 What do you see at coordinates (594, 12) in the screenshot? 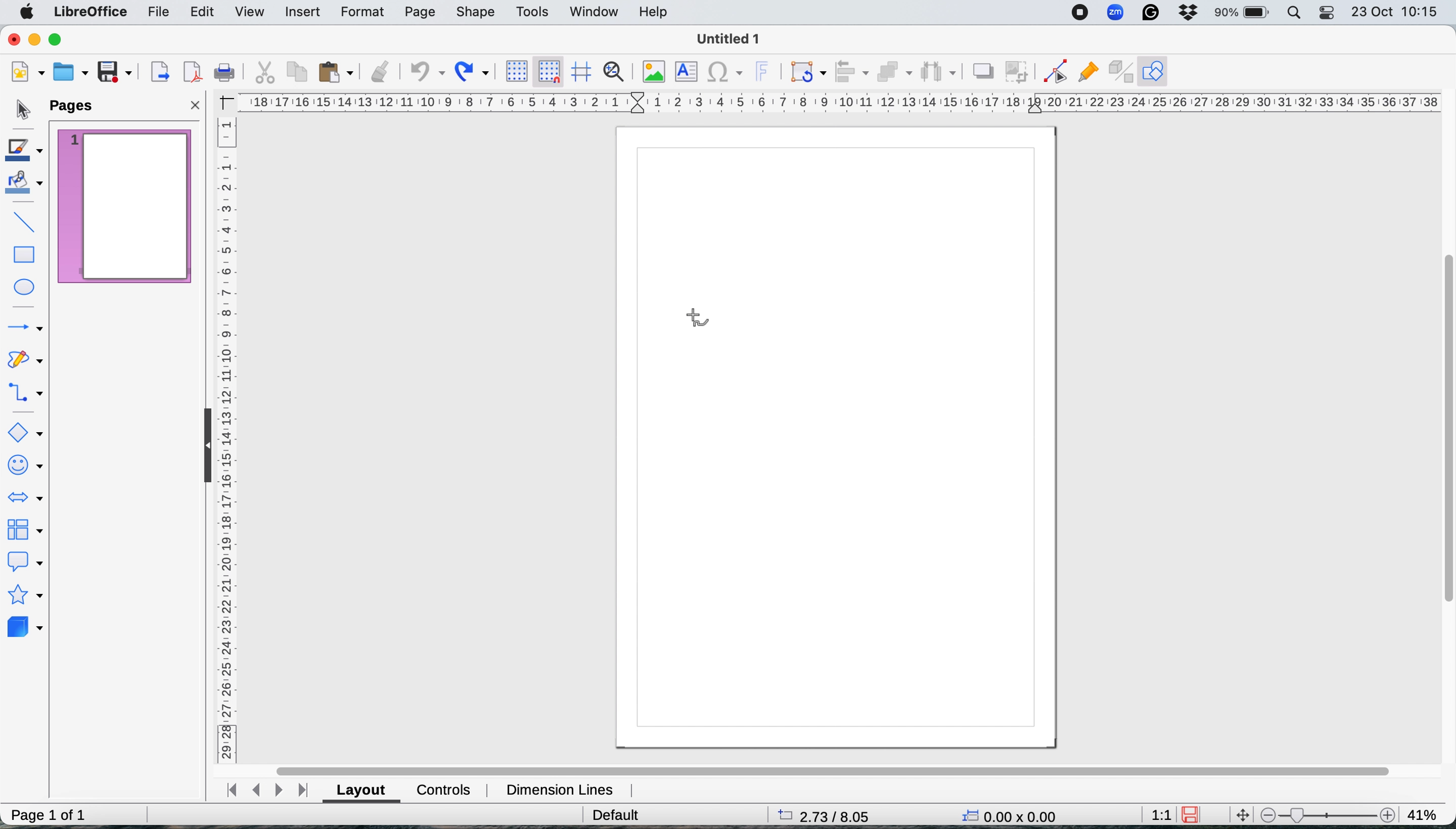
I see `window` at bounding box center [594, 12].